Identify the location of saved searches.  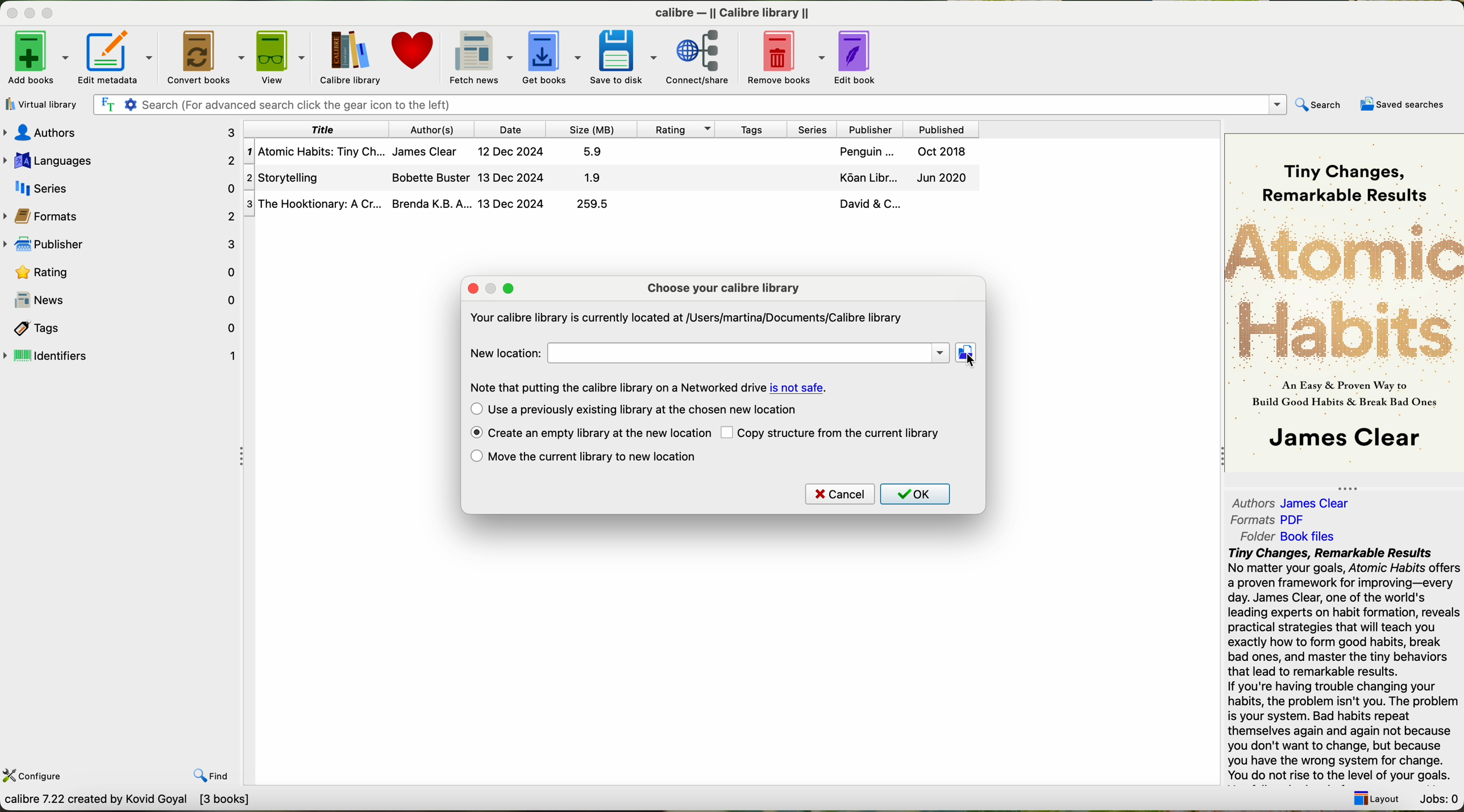
(1405, 105).